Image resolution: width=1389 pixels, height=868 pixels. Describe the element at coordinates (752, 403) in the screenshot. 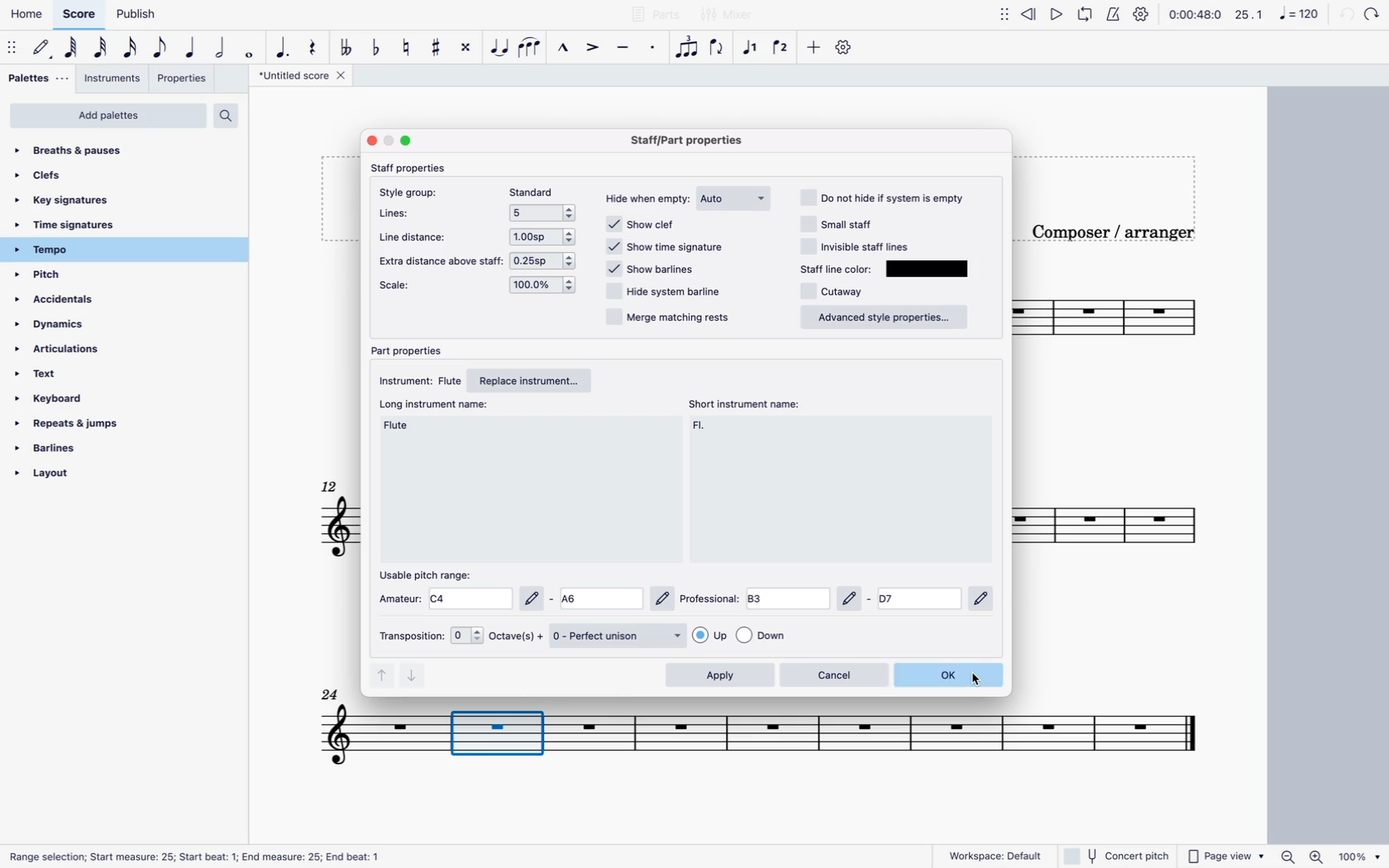

I see `short instrument name` at that location.